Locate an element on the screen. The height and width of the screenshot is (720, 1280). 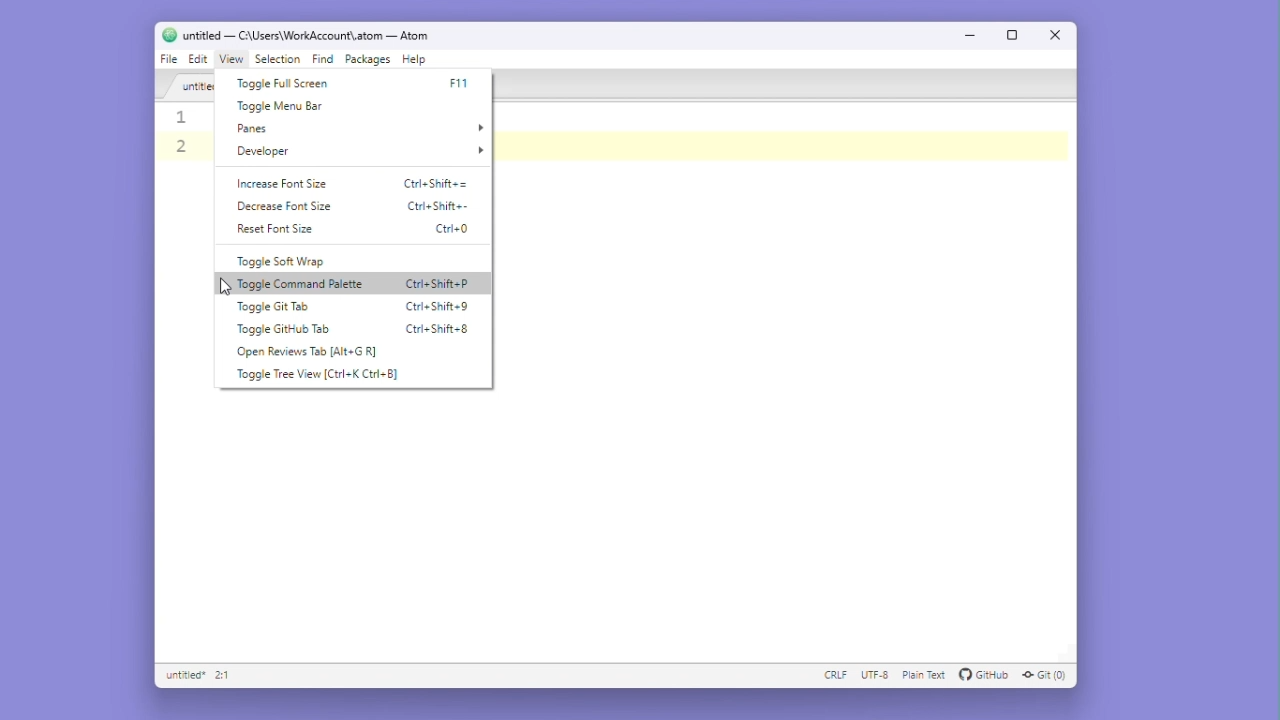
2:1 is located at coordinates (224, 676).